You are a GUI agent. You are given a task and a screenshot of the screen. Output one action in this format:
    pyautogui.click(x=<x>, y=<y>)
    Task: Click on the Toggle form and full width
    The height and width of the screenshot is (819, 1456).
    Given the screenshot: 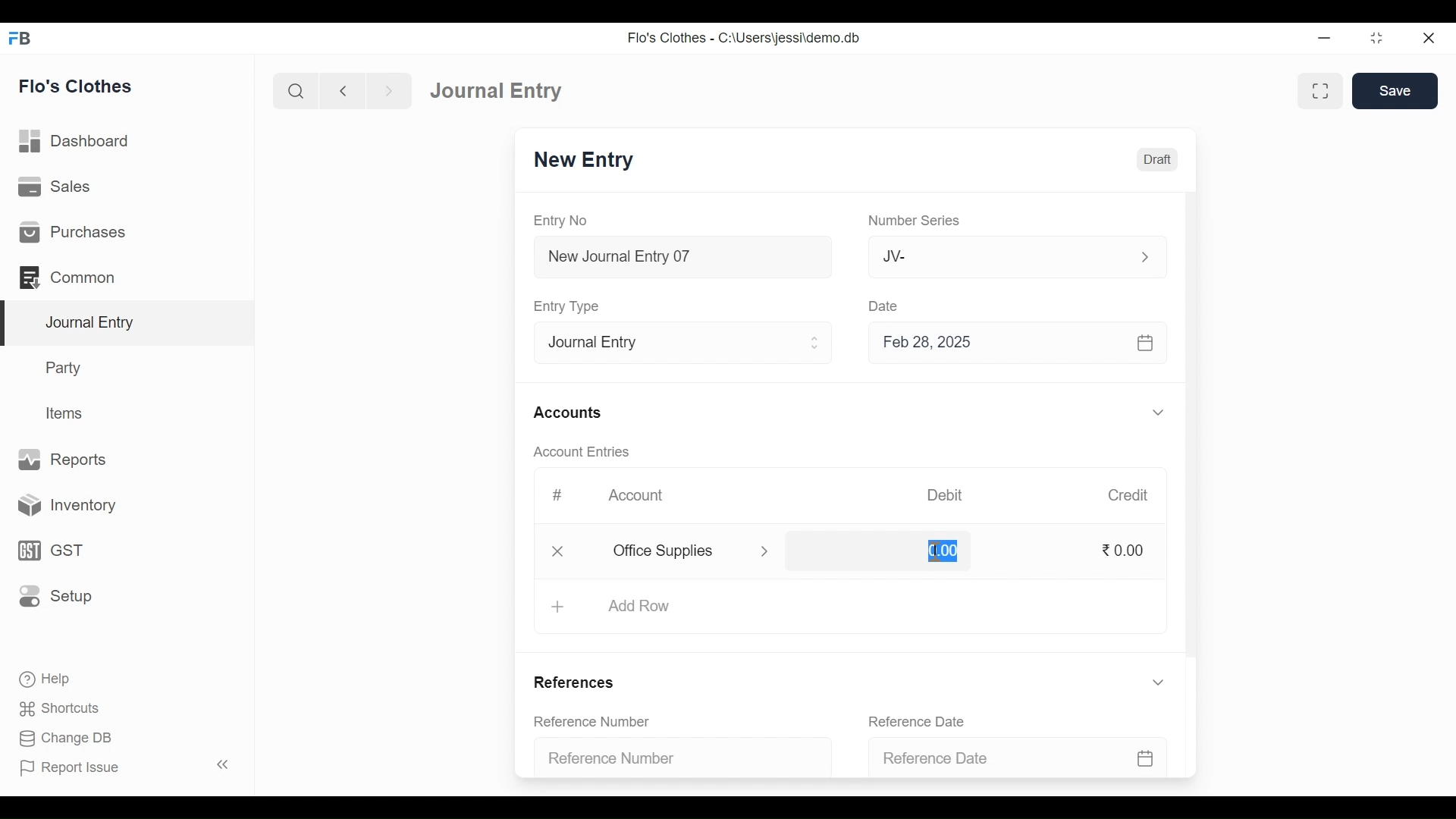 What is the action you would take?
    pyautogui.click(x=1320, y=92)
    